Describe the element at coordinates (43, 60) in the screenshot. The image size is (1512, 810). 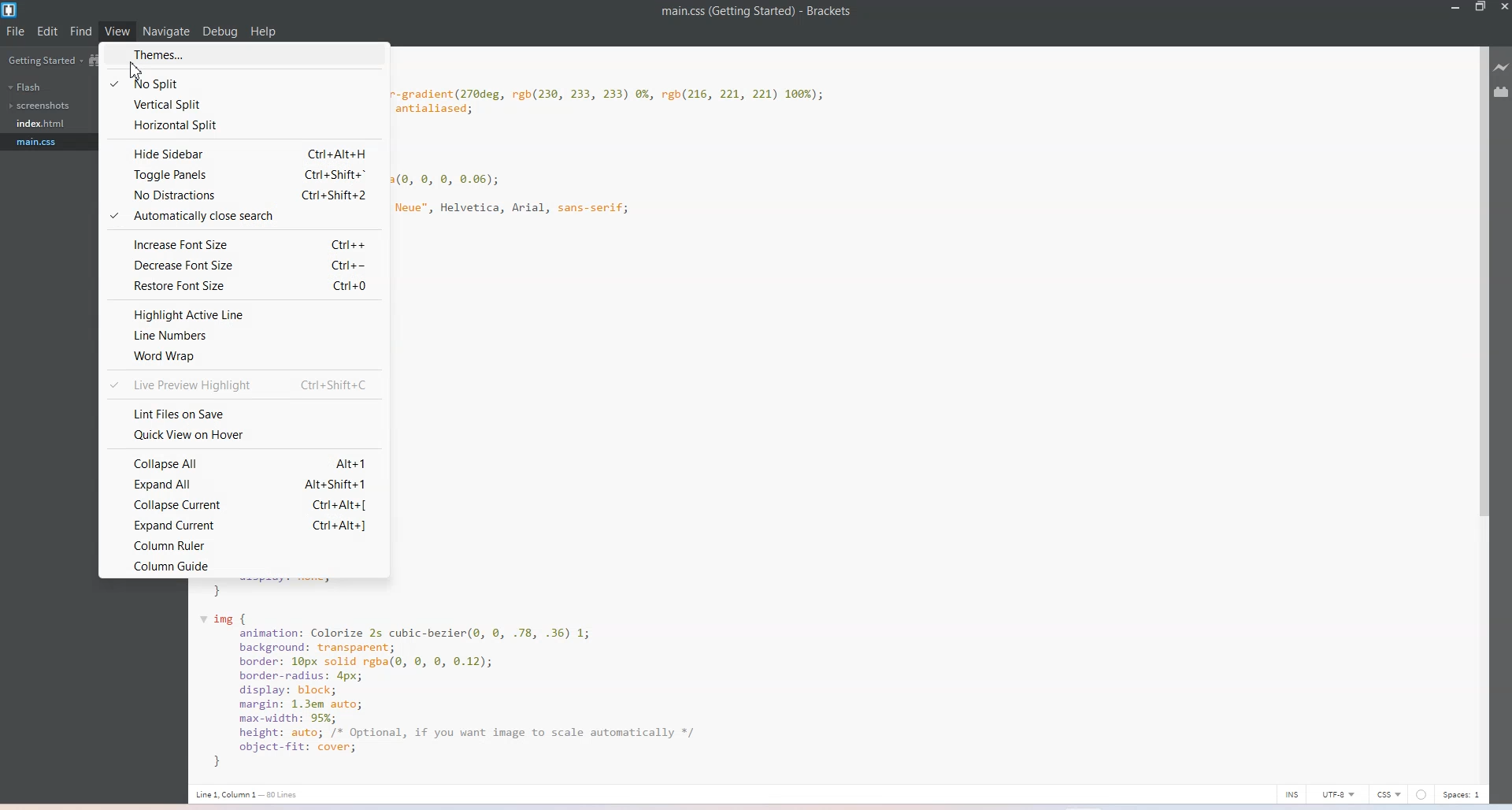
I see `Getting Started` at that location.